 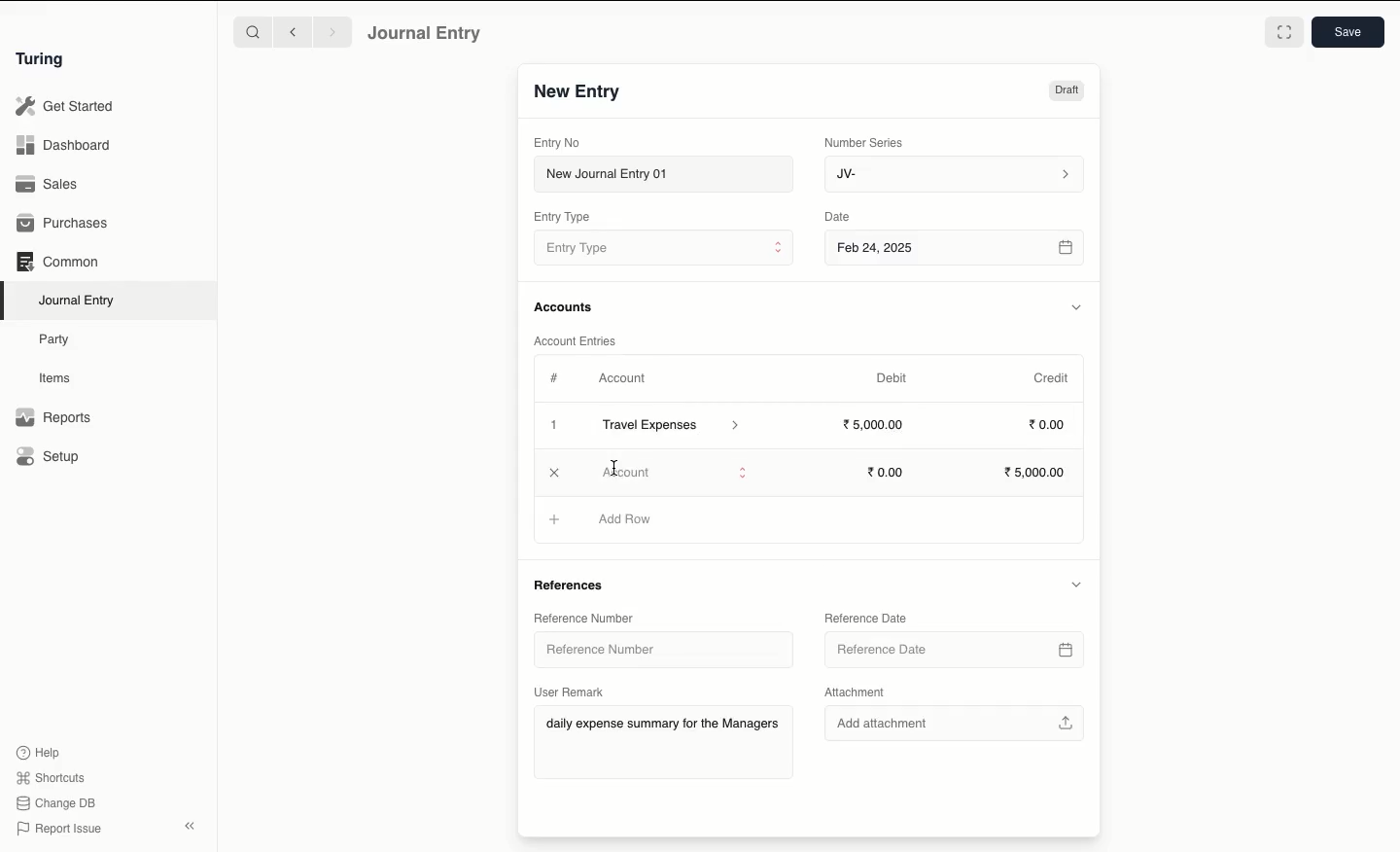 What do you see at coordinates (865, 620) in the screenshot?
I see `Reference Date` at bounding box center [865, 620].